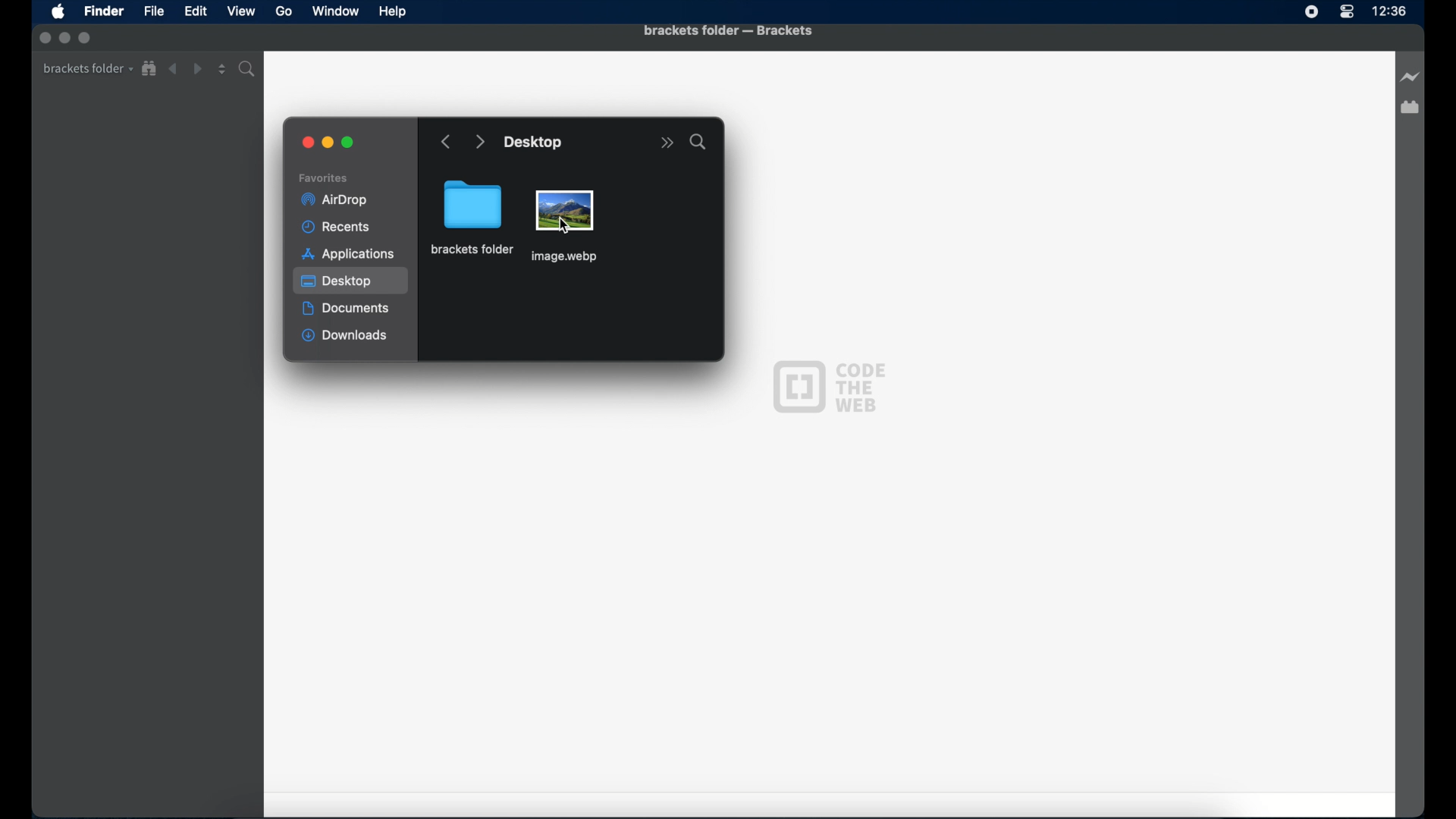 This screenshot has height=819, width=1456. What do you see at coordinates (328, 143) in the screenshot?
I see `minimize` at bounding box center [328, 143].